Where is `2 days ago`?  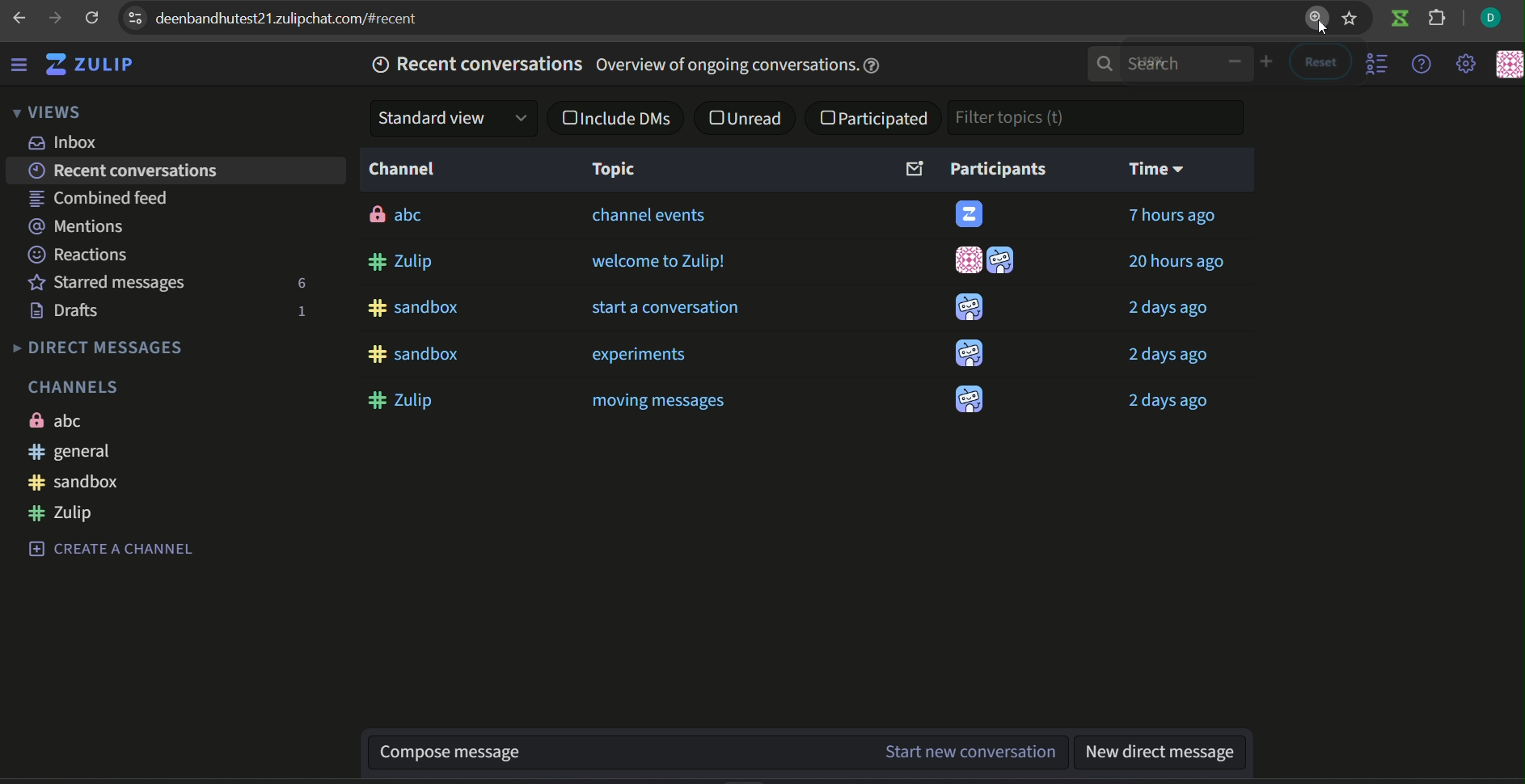
2 days ago is located at coordinates (1168, 356).